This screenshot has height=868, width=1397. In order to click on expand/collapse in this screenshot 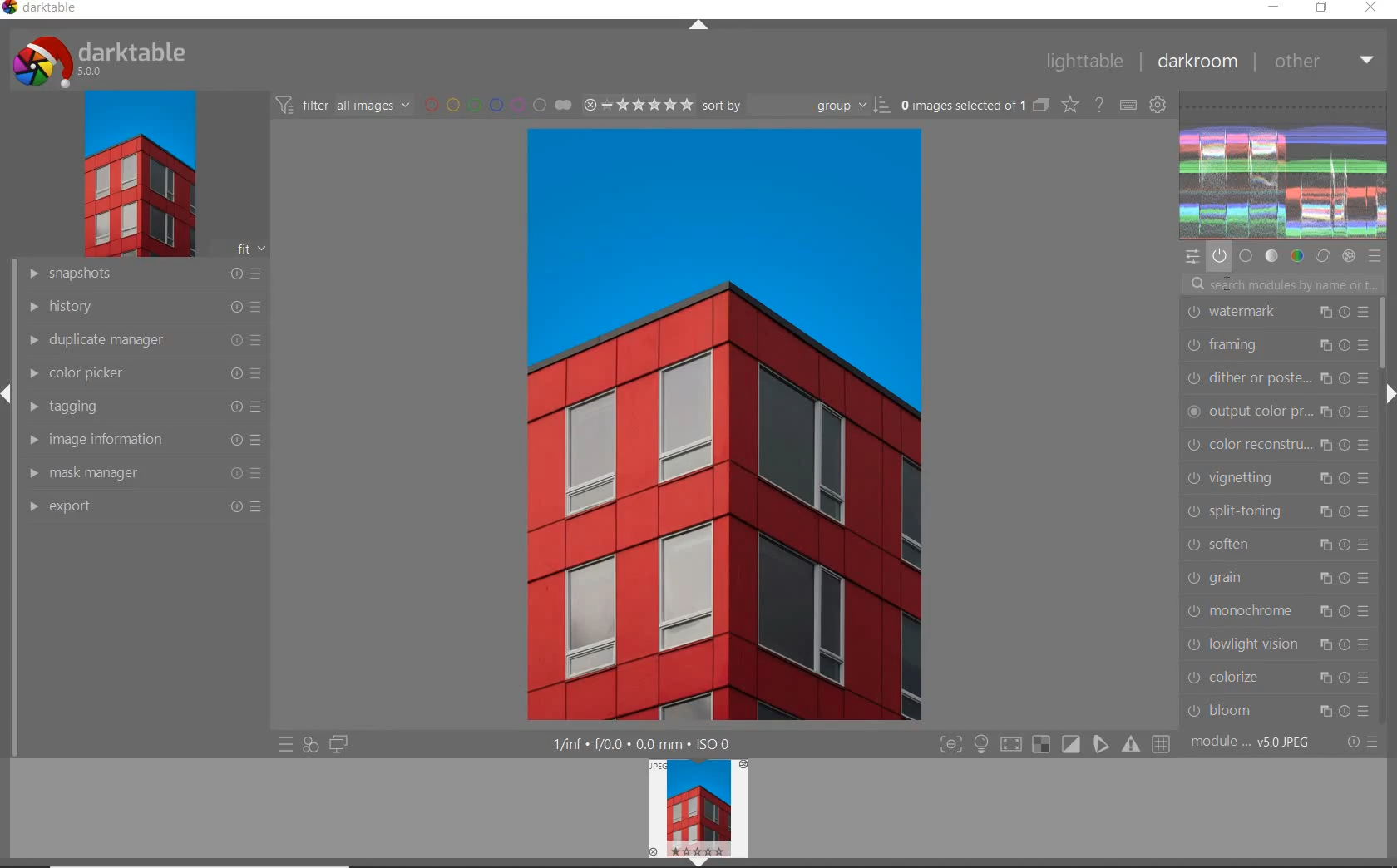, I will do `click(1389, 393)`.